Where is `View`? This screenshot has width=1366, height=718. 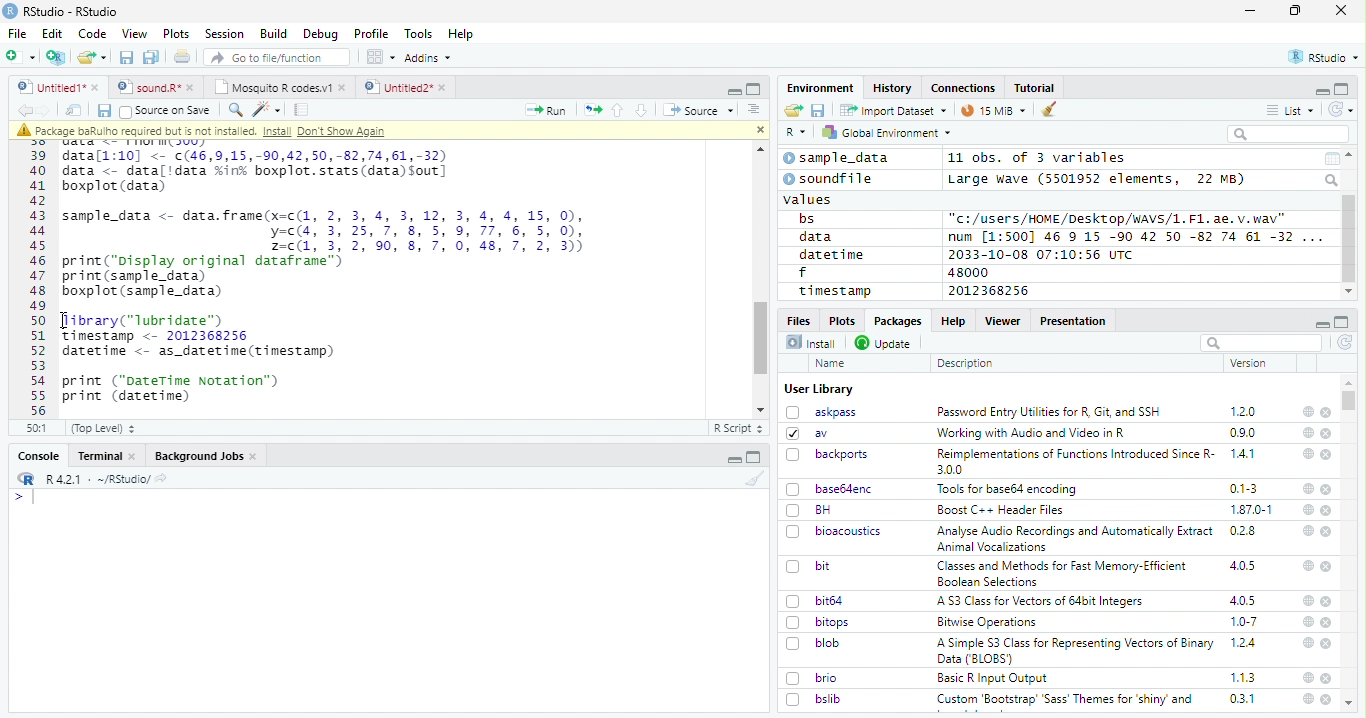 View is located at coordinates (135, 34).